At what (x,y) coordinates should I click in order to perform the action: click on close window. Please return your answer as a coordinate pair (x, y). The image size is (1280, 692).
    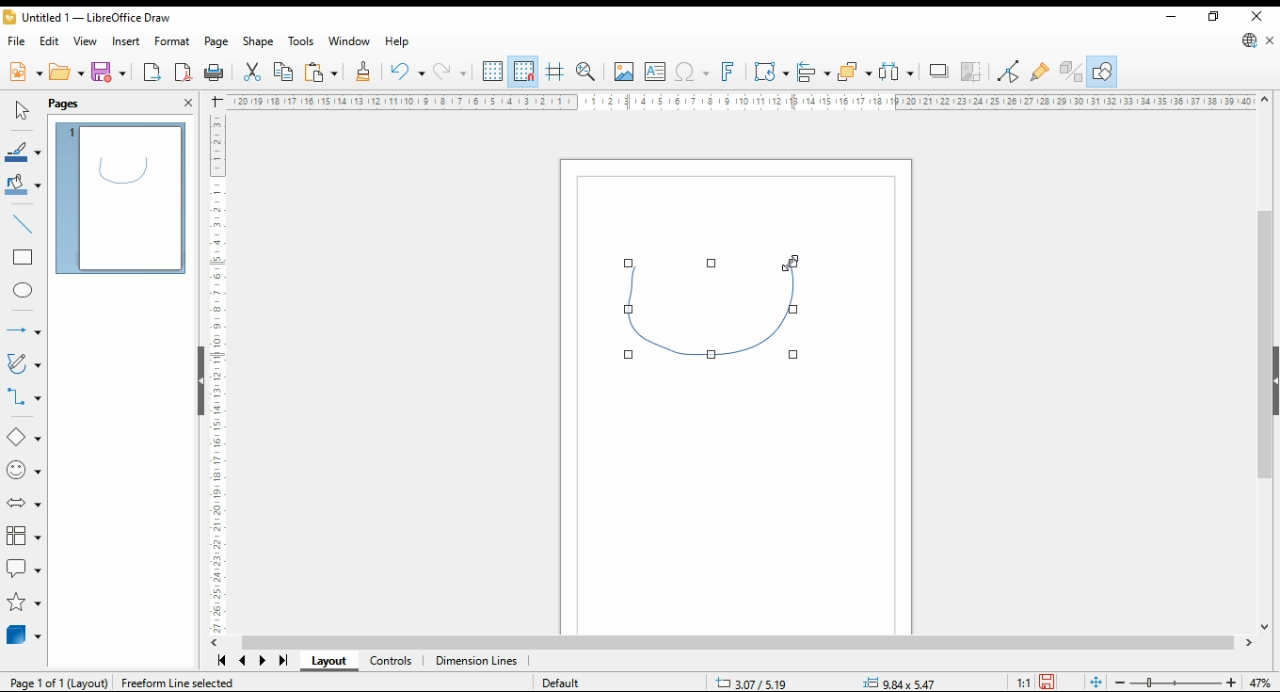
    Looking at the image, I should click on (1256, 14).